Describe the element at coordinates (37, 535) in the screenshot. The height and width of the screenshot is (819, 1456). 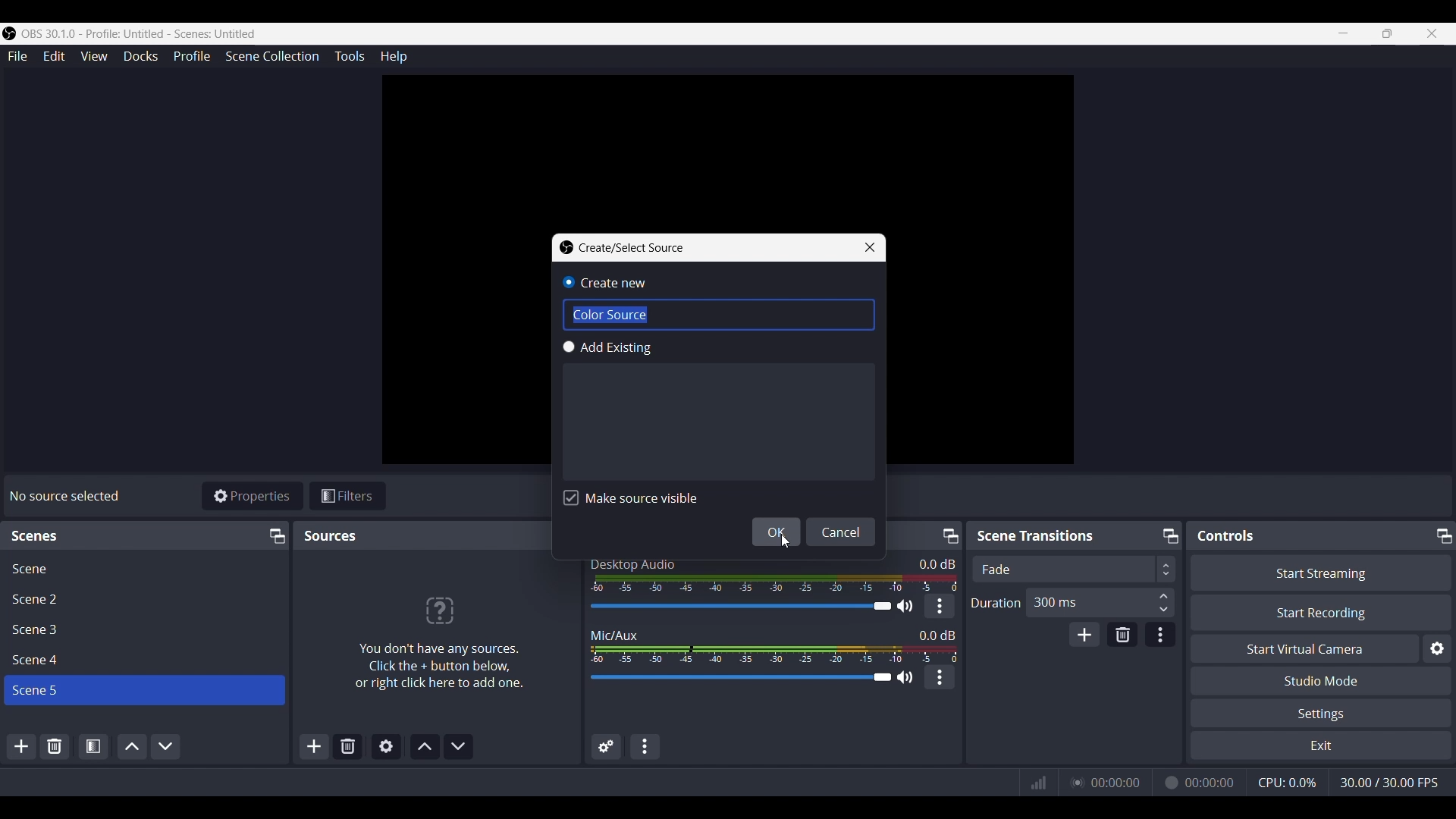
I see `Text` at that location.